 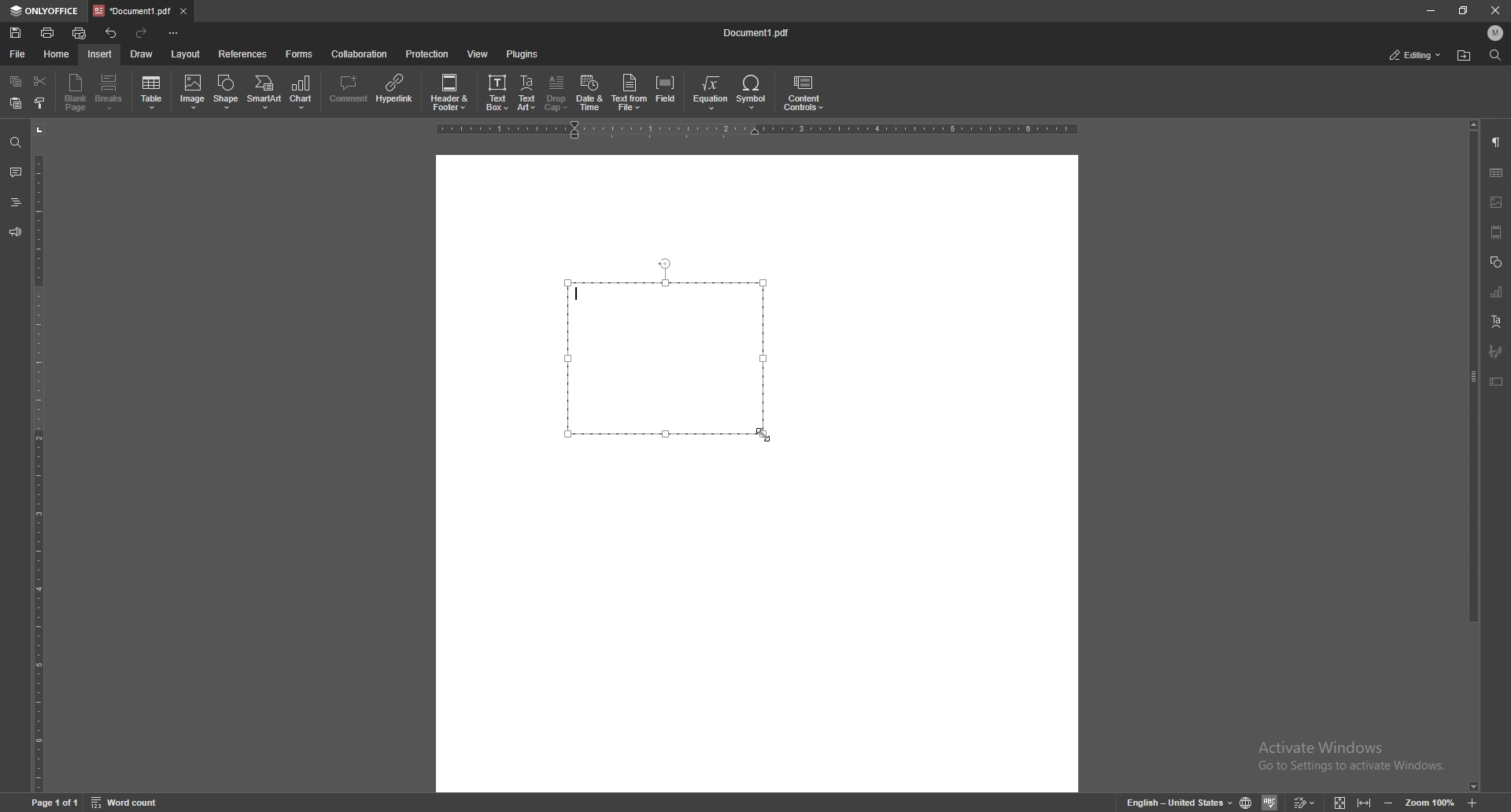 What do you see at coordinates (1497, 382) in the screenshot?
I see `text box` at bounding box center [1497, 382].